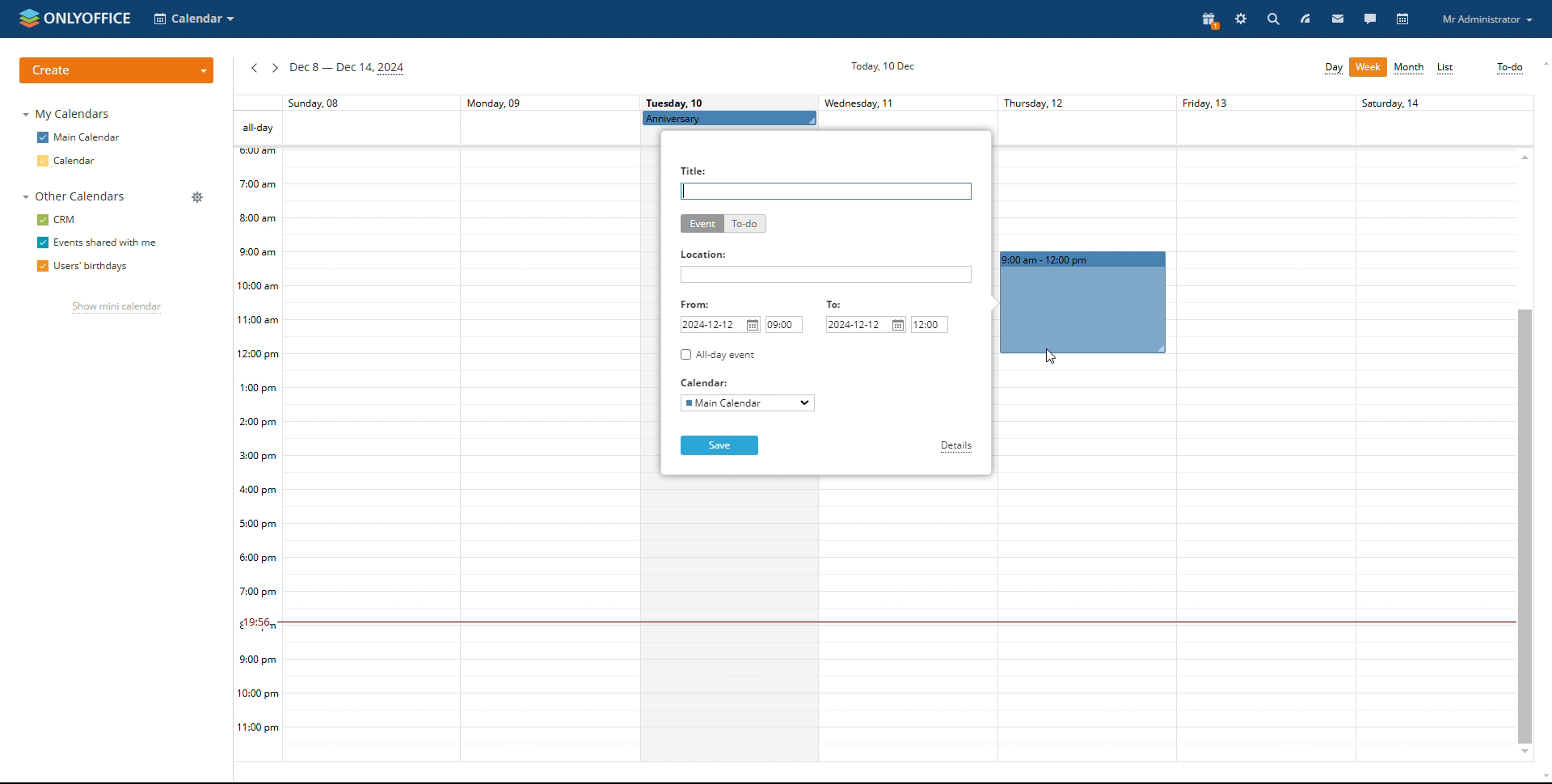 The height and width of the screenshot is (784, 1552). I want to click on checkbox, so click(41, 242).